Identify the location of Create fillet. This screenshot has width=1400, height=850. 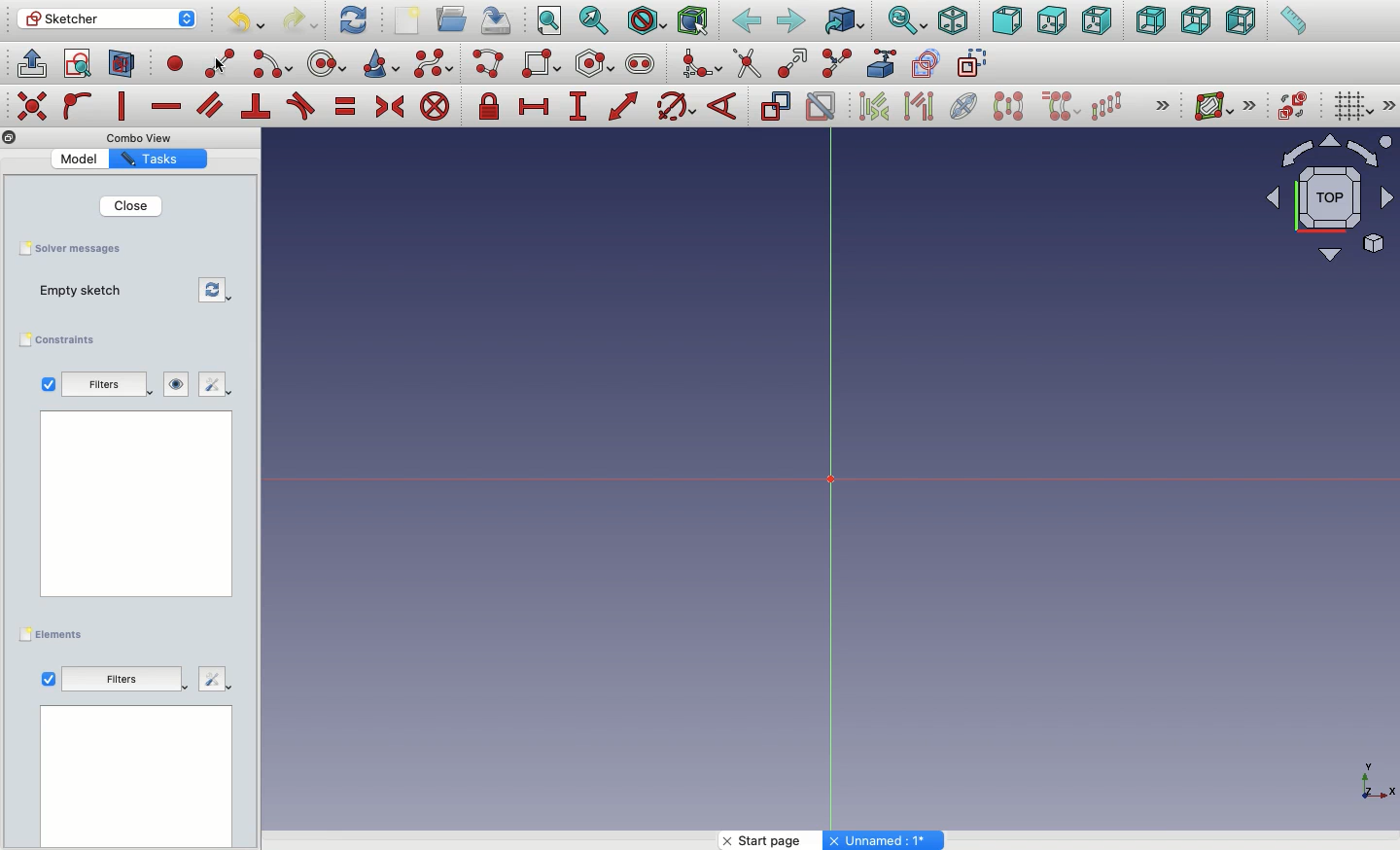
(700, 64).